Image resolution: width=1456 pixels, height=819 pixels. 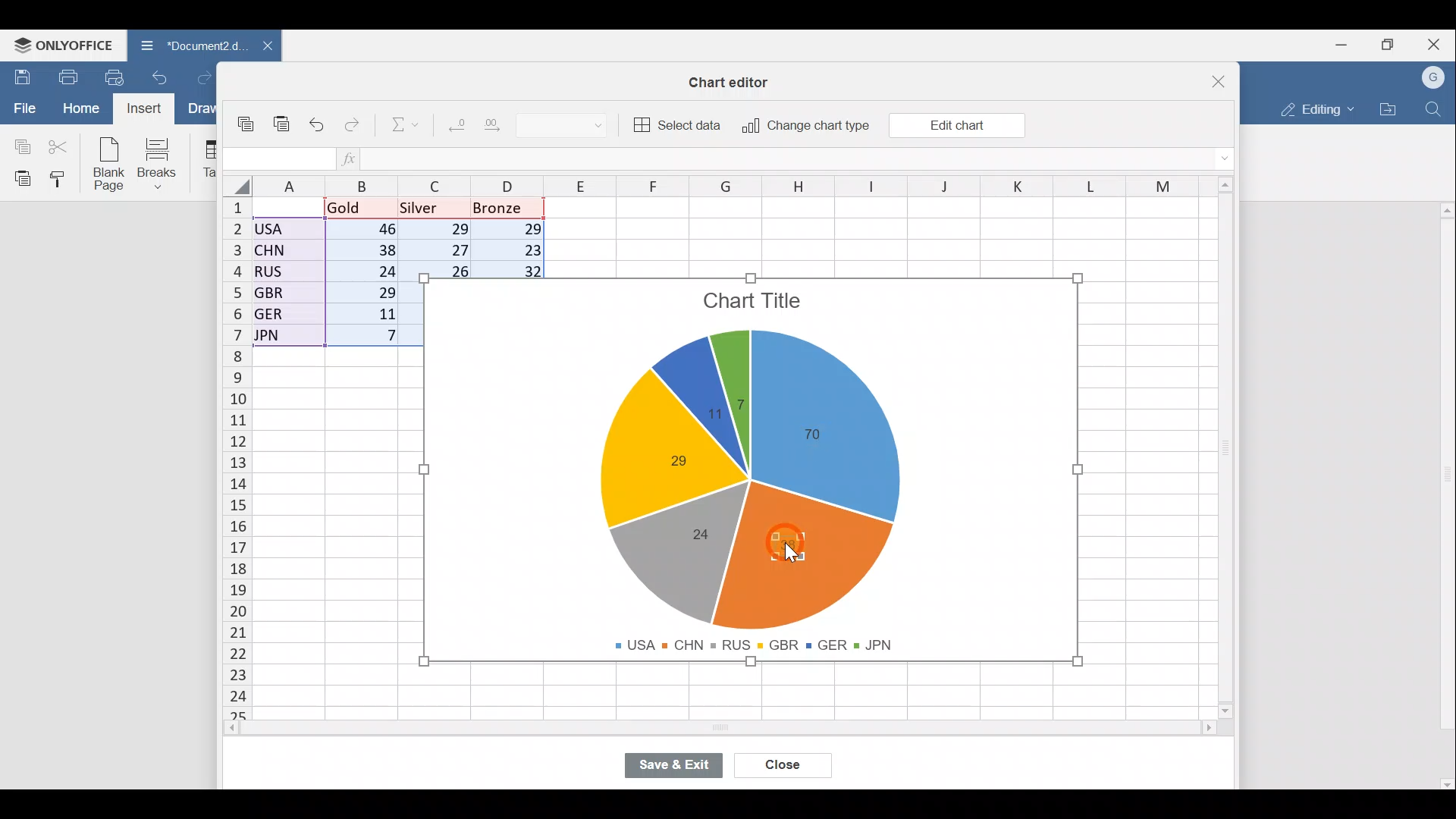 I want to click on Insert function, so click(x=359, y=158).